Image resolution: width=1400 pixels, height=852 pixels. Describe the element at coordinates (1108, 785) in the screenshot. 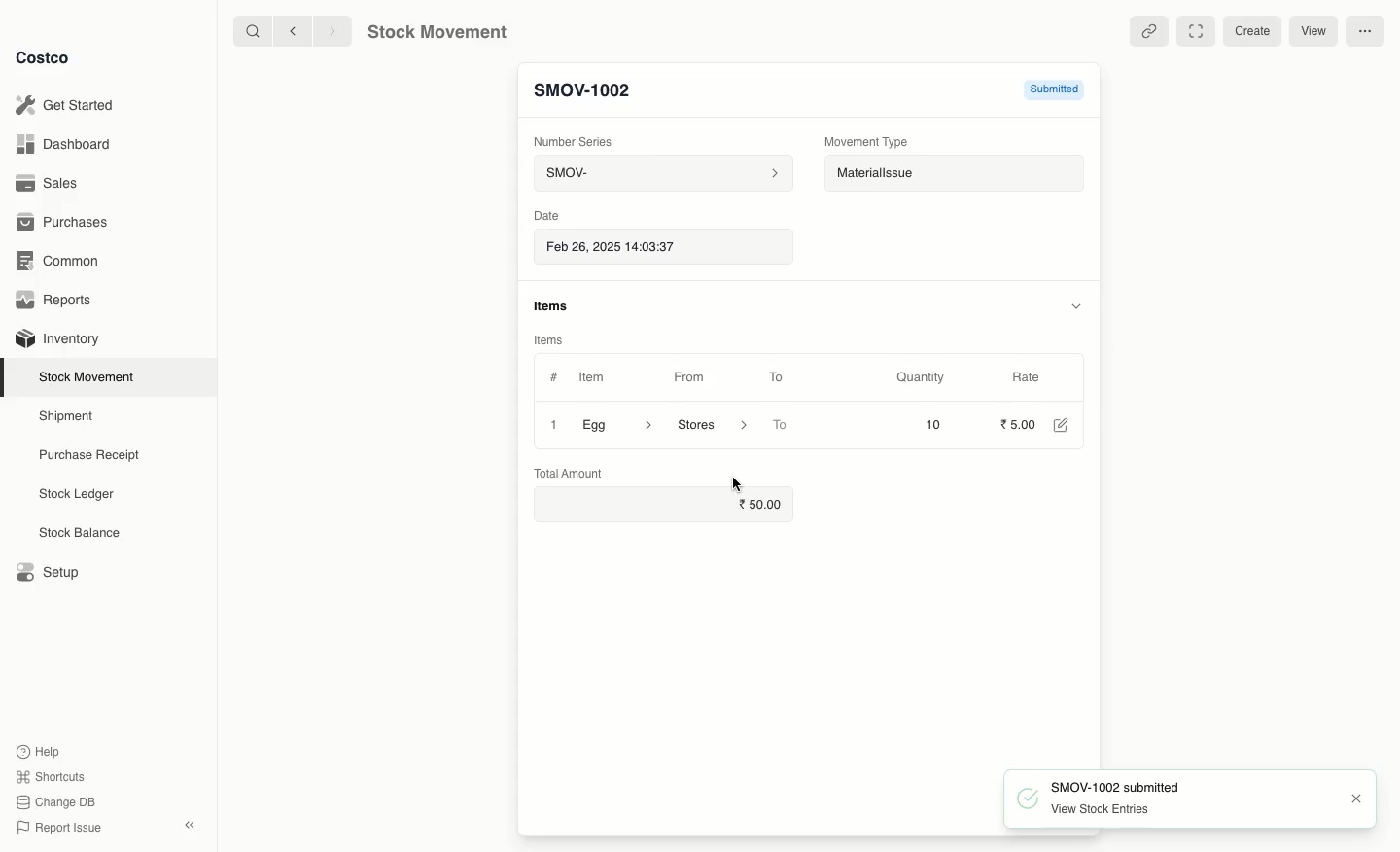

I see `SMOV-1002 submit` at that location.